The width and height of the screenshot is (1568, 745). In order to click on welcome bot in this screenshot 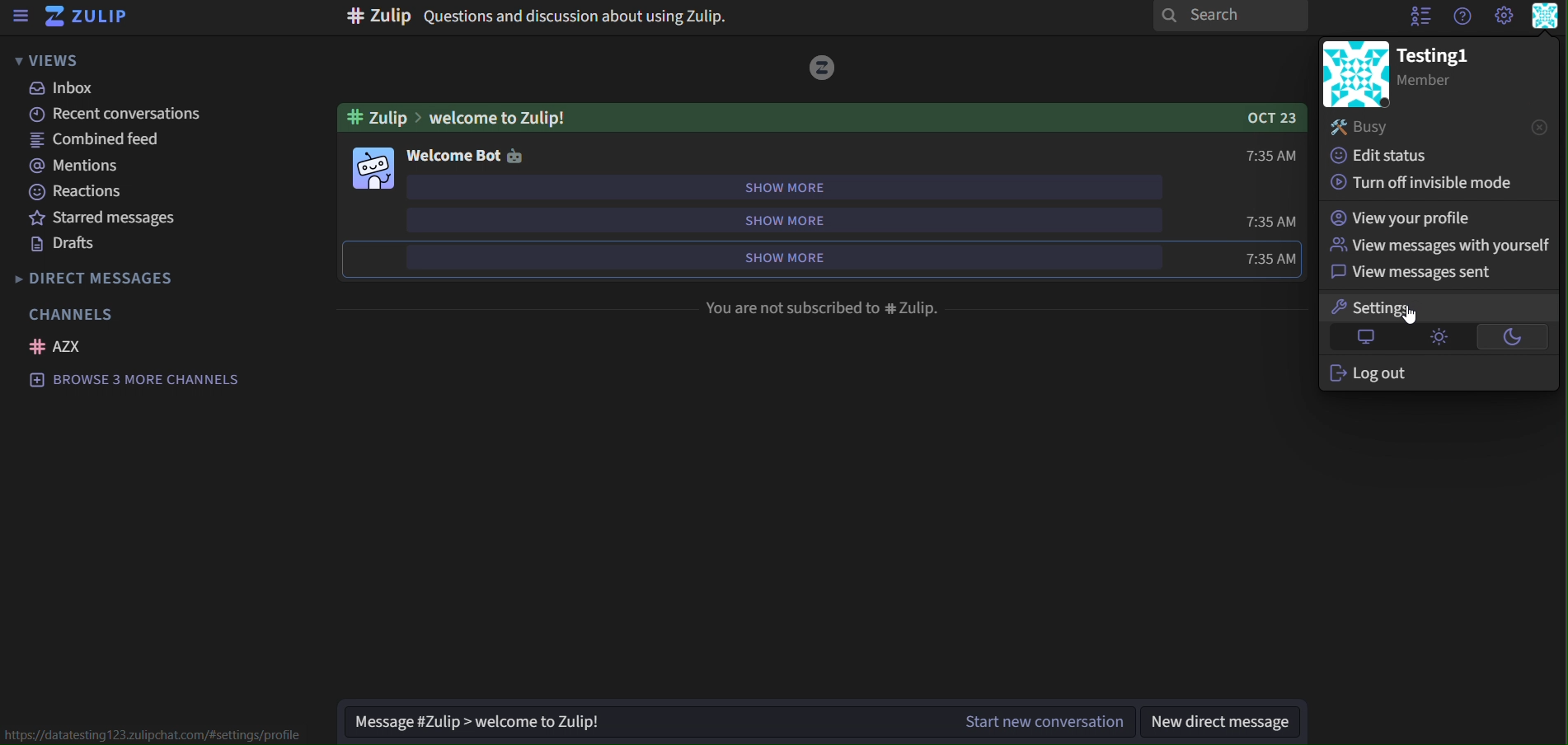, I will do `click(469, 157)`.